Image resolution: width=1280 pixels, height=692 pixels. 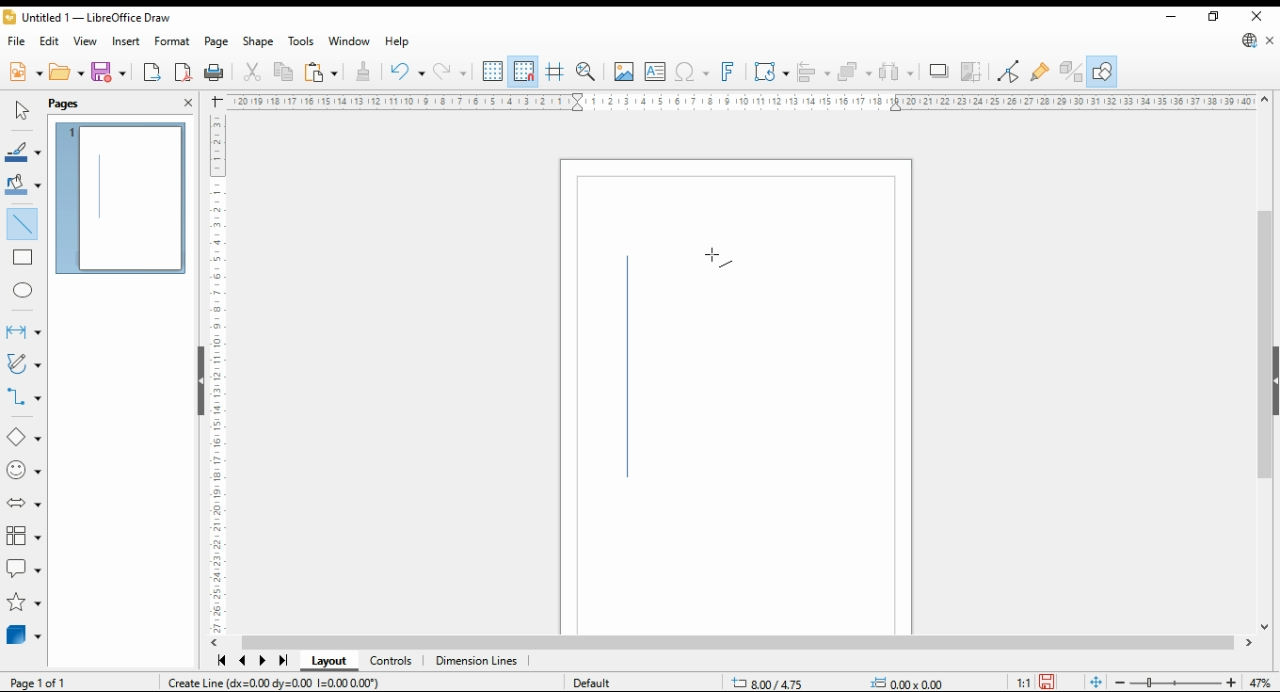 What do you see at coordinates (219, 369) in the screenshot?
I see `vertical scale` at bounding box center [219, 369].